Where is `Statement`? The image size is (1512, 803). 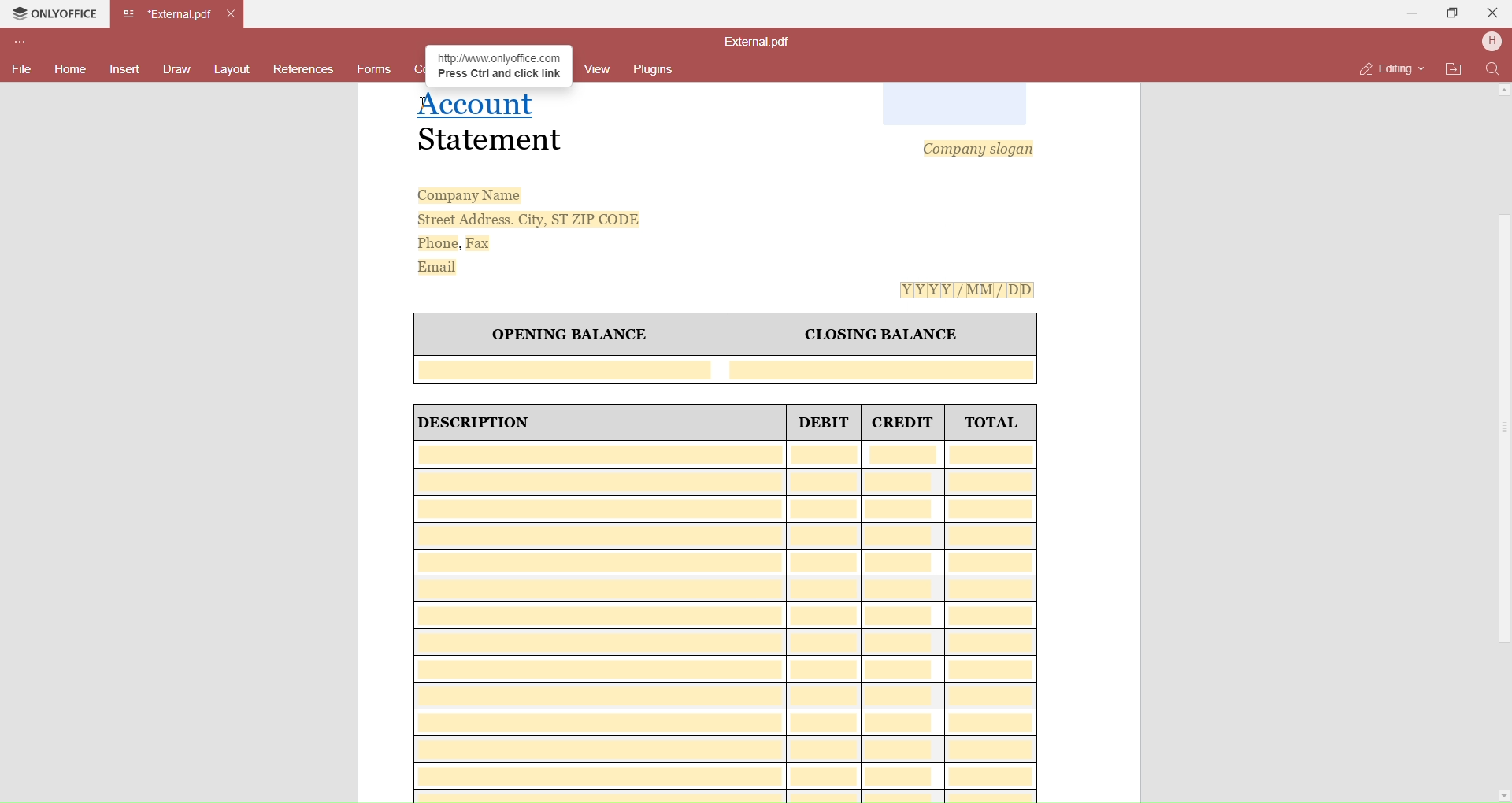
Statement is located at coordinates (491, 142).